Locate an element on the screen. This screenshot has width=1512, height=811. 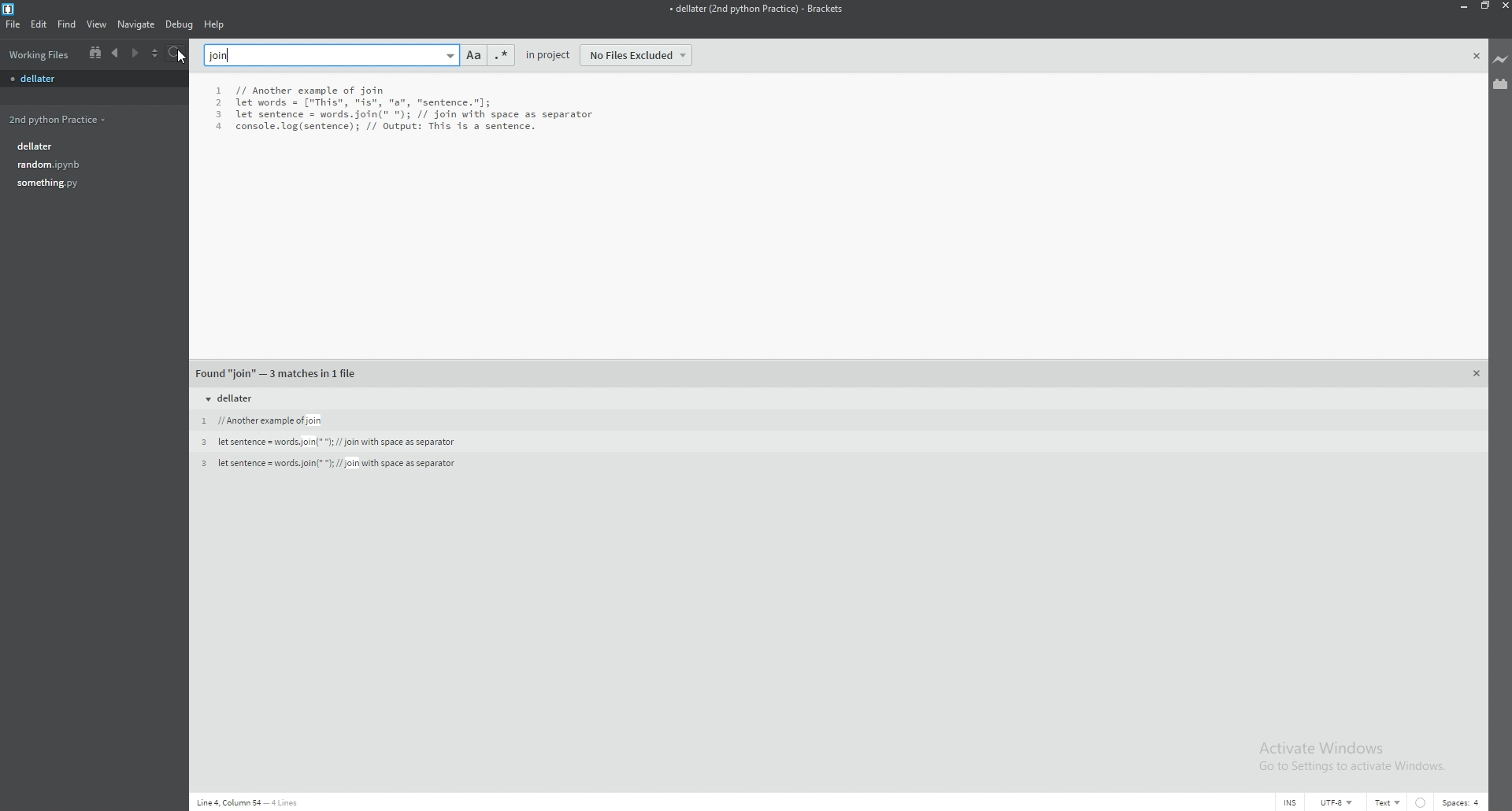
find is located at coordinates (66, 24).